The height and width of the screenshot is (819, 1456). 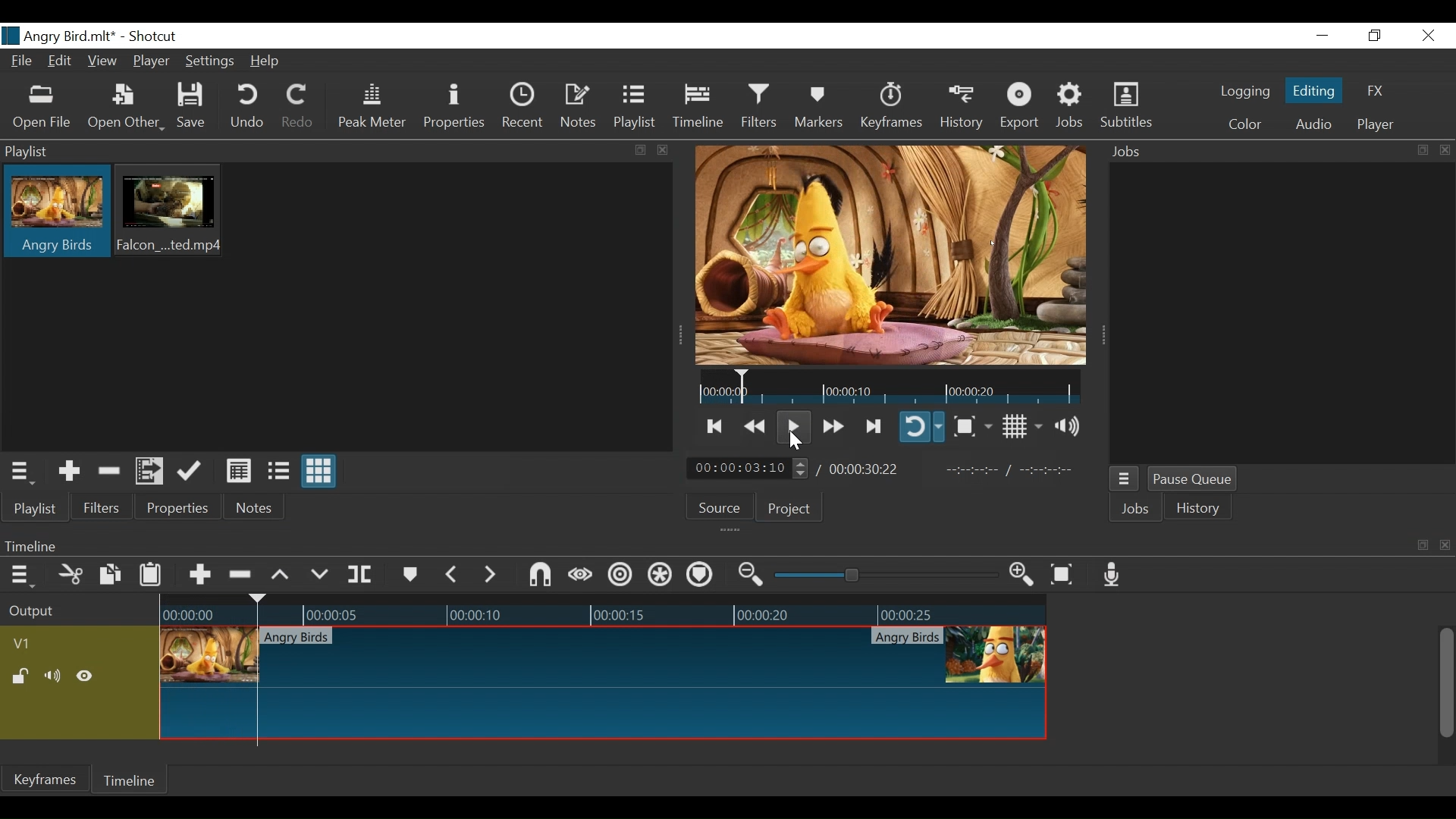 What do you see at coordinates (256, 510) in the screenshot?
I see `Notes` at bounding box center [256, 510].